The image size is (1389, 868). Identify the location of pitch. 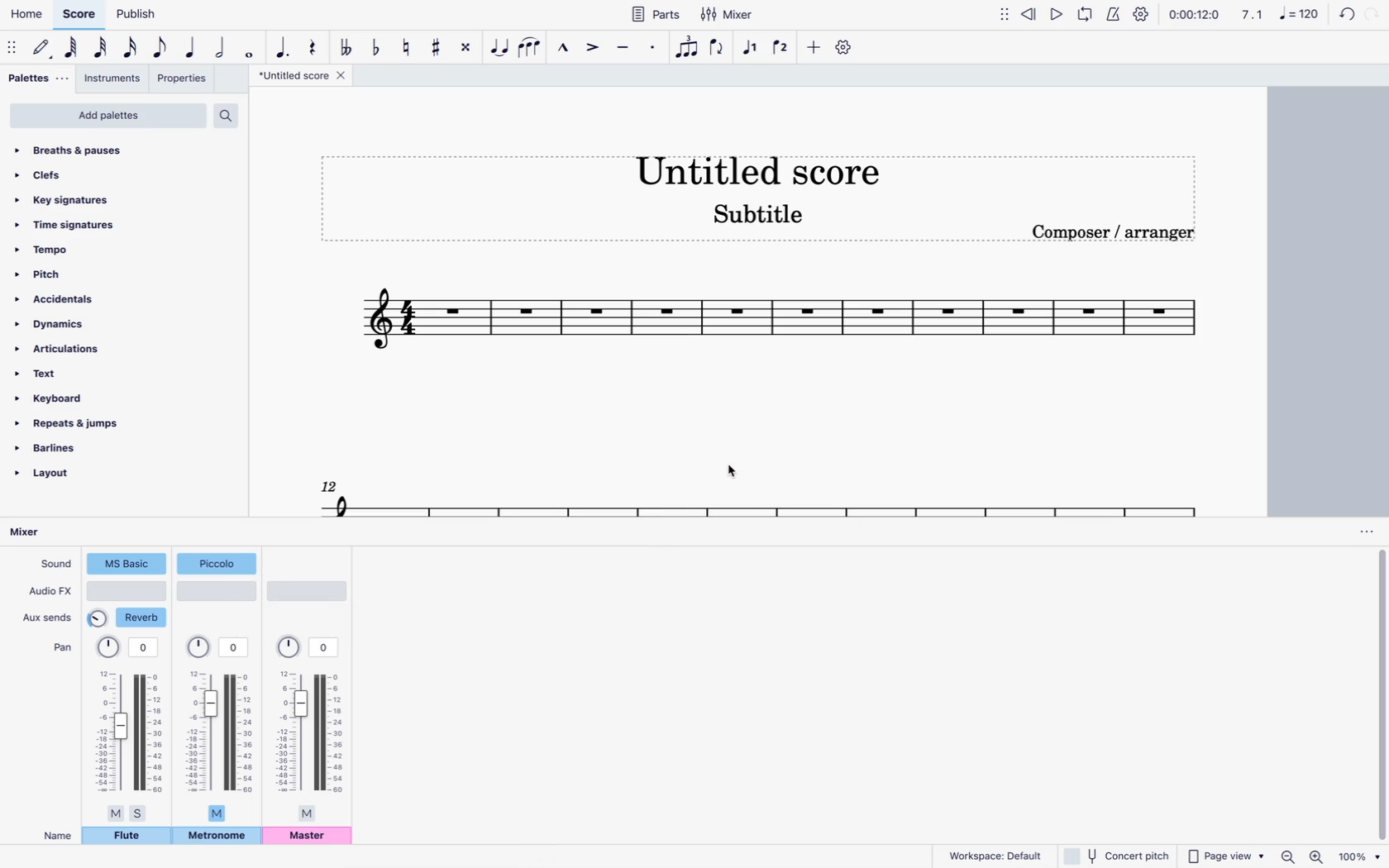
(97, 274).